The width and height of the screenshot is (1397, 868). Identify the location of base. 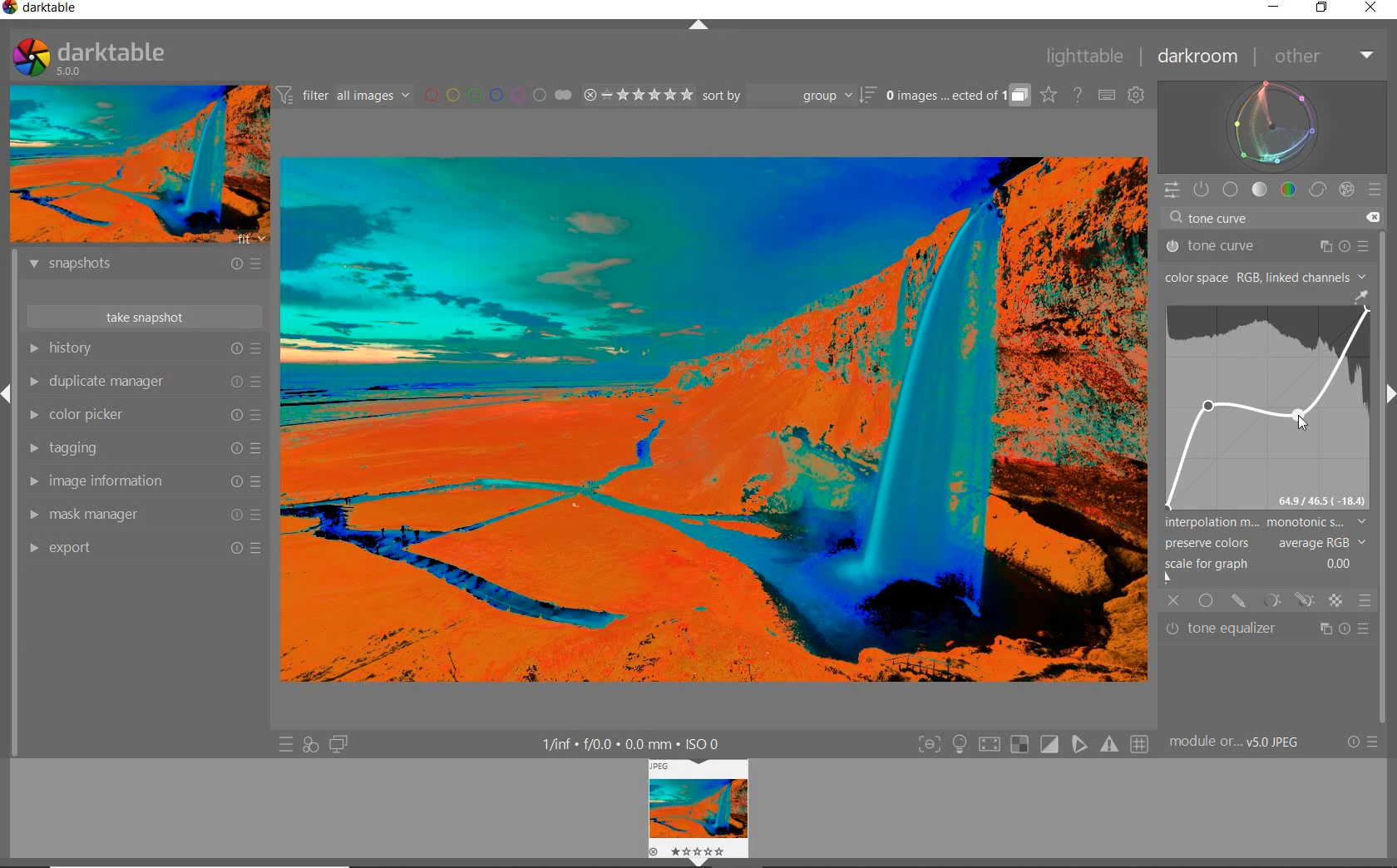
(1232, 189).